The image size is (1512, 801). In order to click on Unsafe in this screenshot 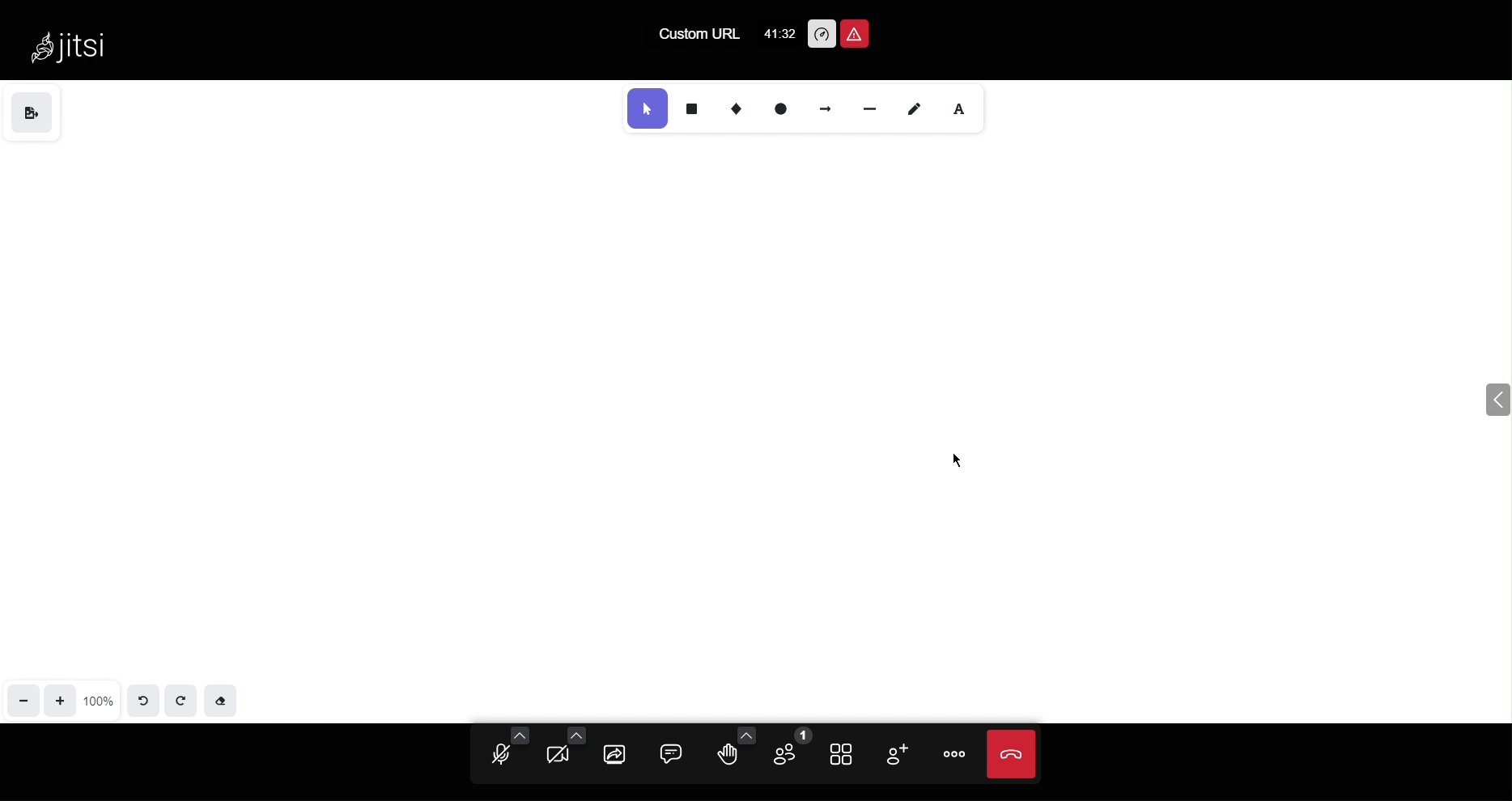, I will do `click(856, 32)`.